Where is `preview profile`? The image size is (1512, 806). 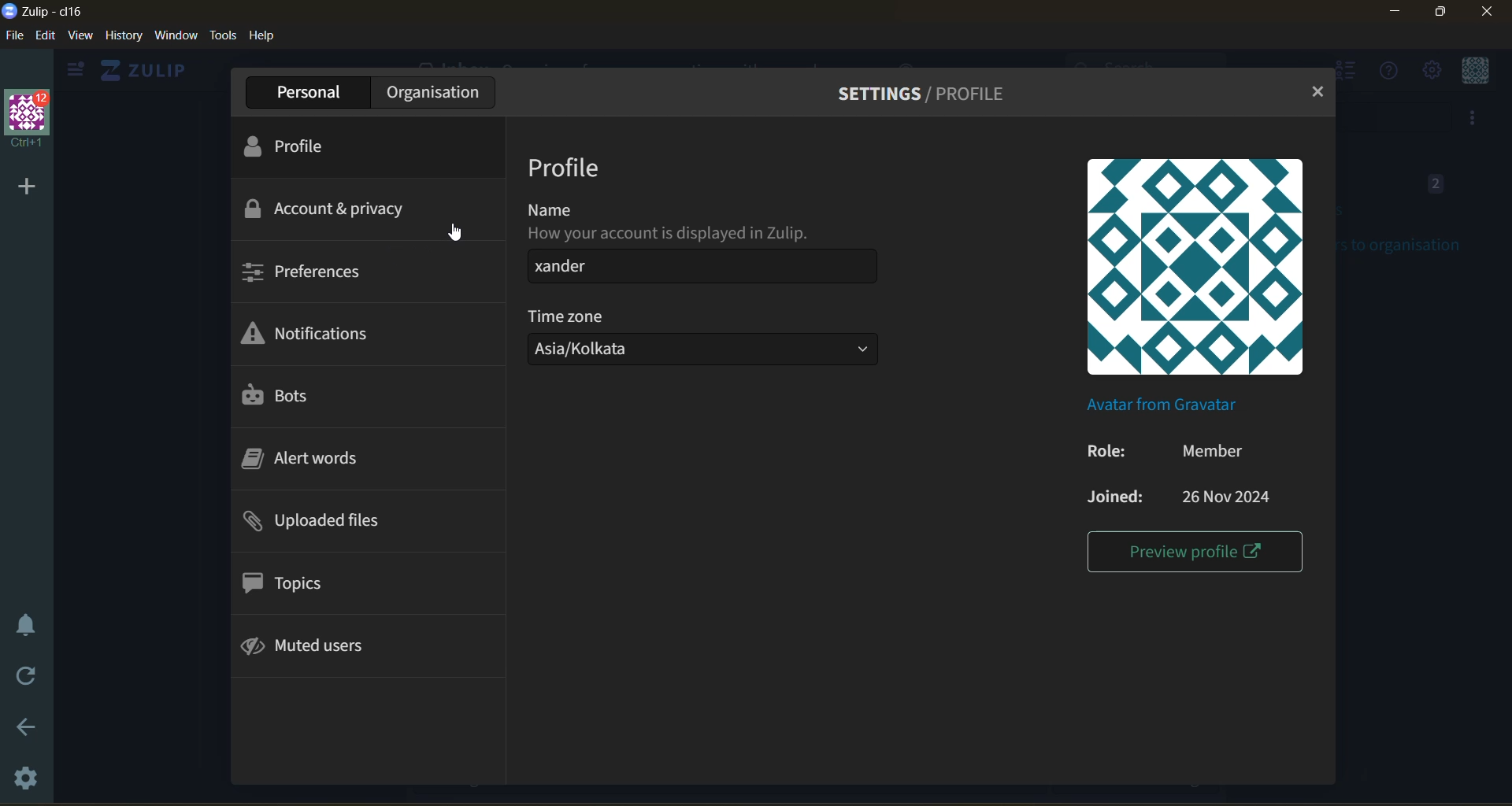
preview profile is located at coordinates (1196, 555).